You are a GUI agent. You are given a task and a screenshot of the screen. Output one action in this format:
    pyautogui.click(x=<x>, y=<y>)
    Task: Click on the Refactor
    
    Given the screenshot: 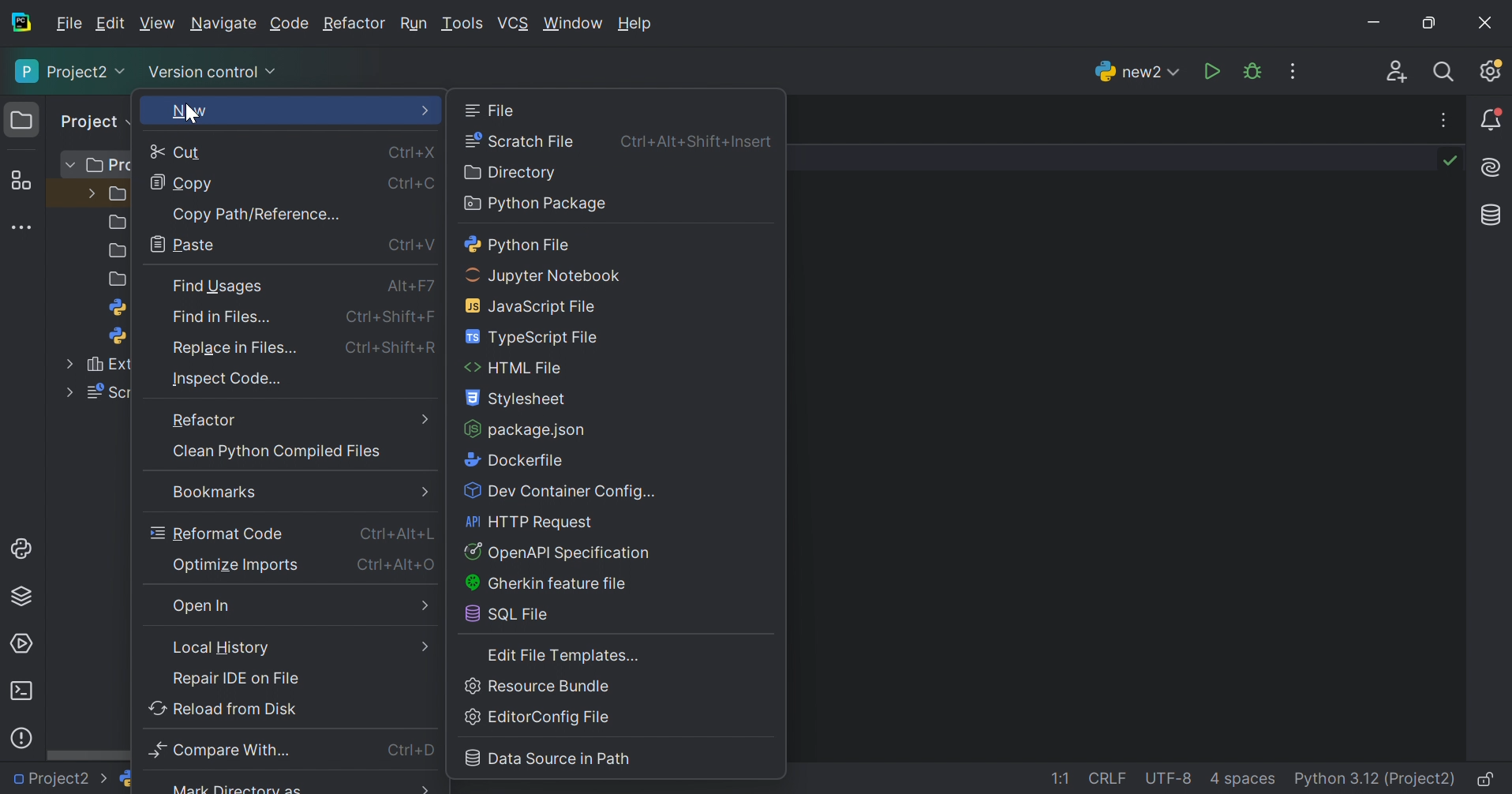 What is the action you would take?
    pyautogui.click(x=203, y=421)
    